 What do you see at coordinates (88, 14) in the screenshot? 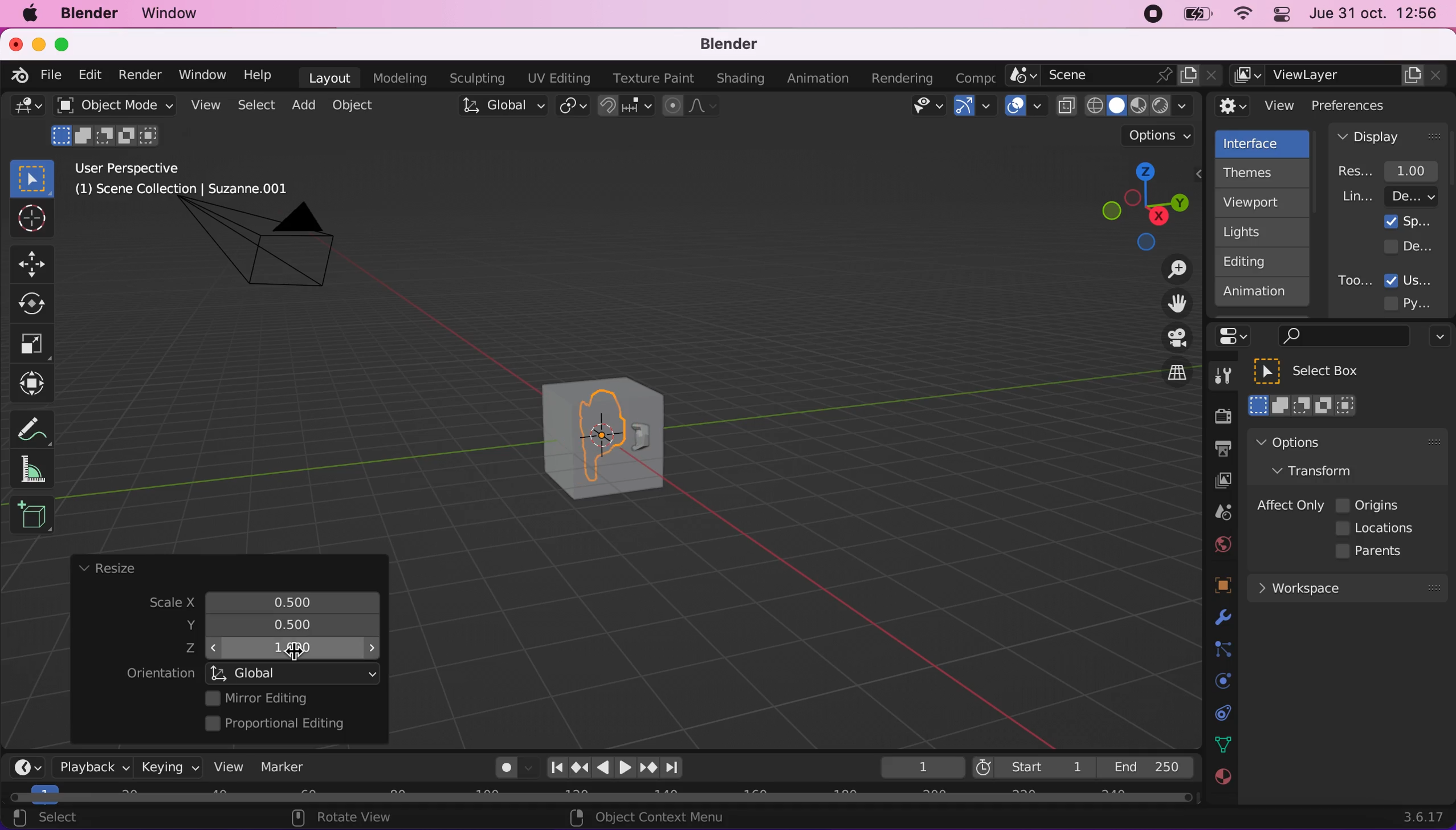
I see `blender` at bounding box center [88, 14].